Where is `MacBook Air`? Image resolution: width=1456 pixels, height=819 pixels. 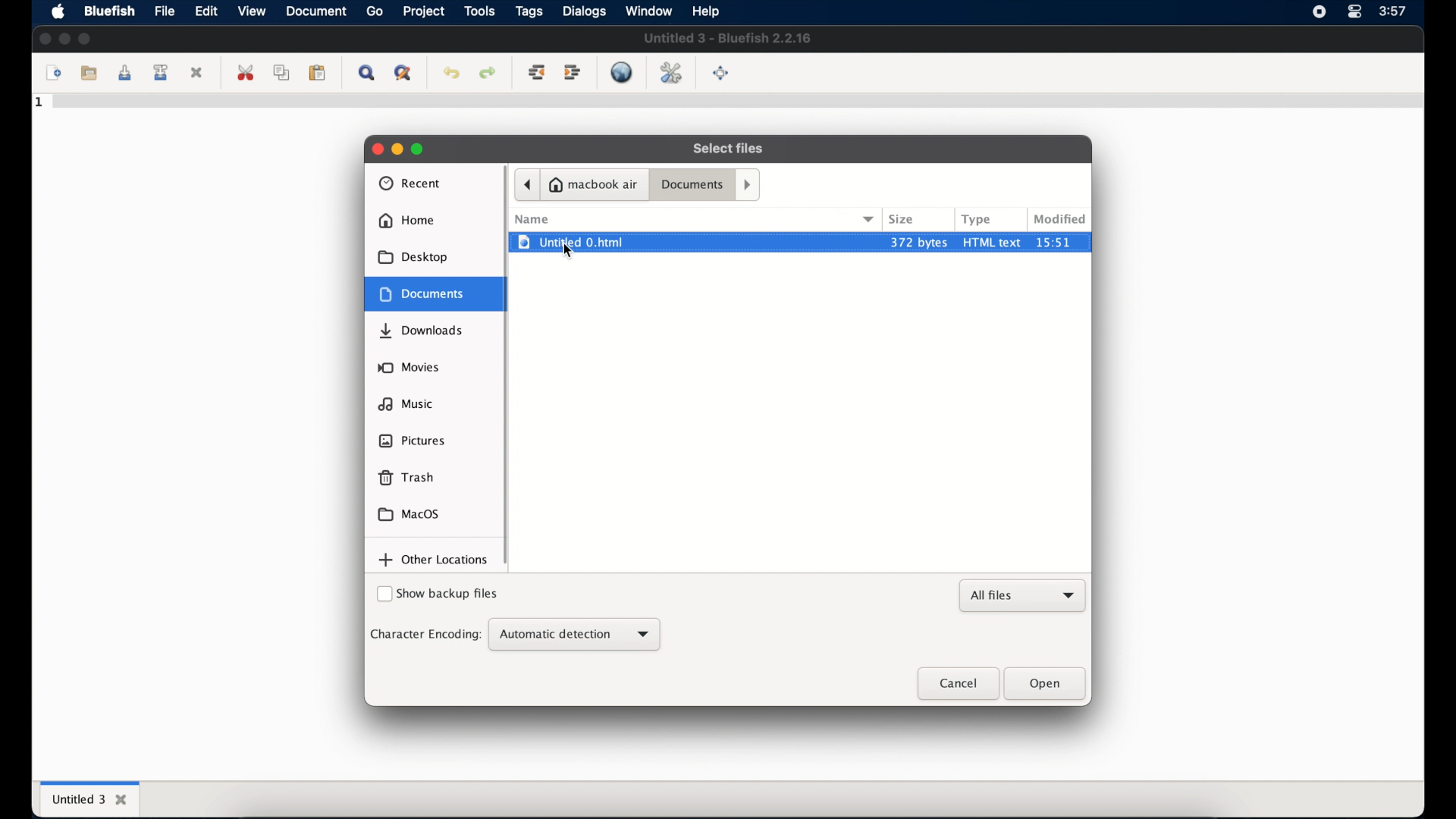 MacBook Air is located at coordinates (595, 184).